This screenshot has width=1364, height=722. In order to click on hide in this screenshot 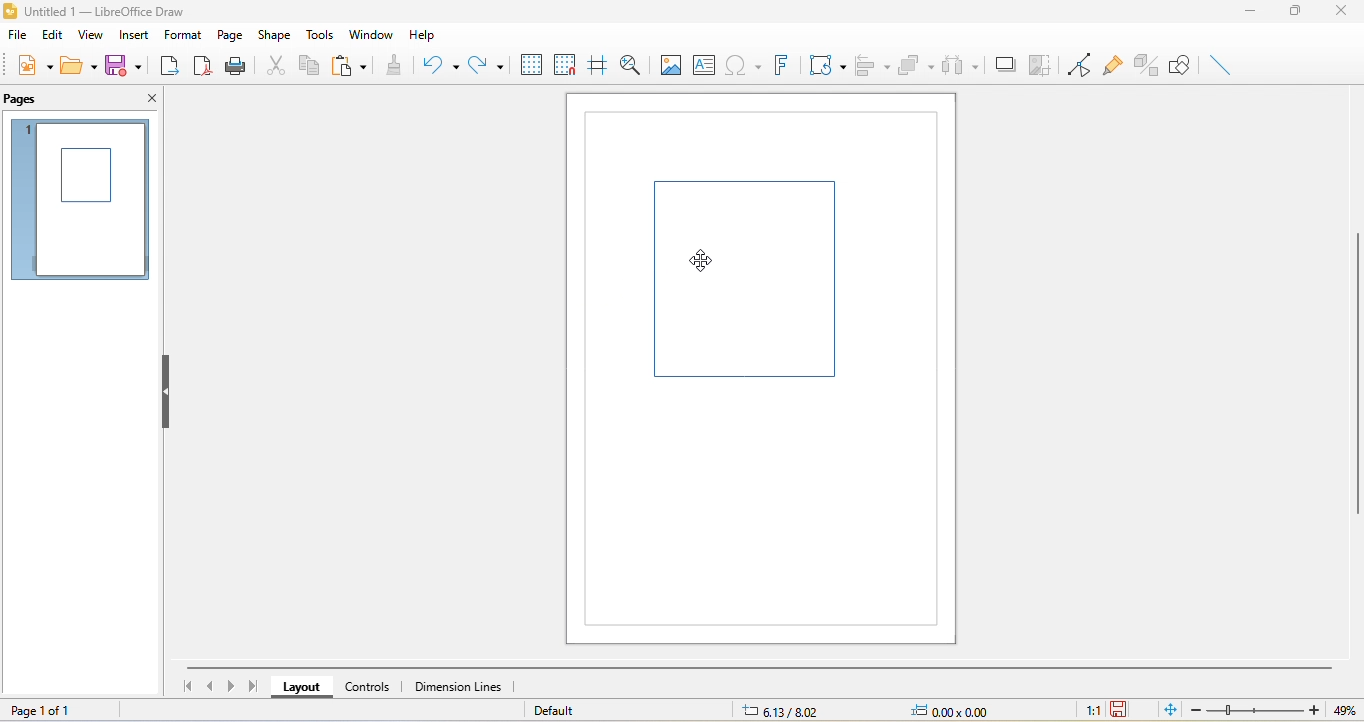, I will do `click(168, 395)`.